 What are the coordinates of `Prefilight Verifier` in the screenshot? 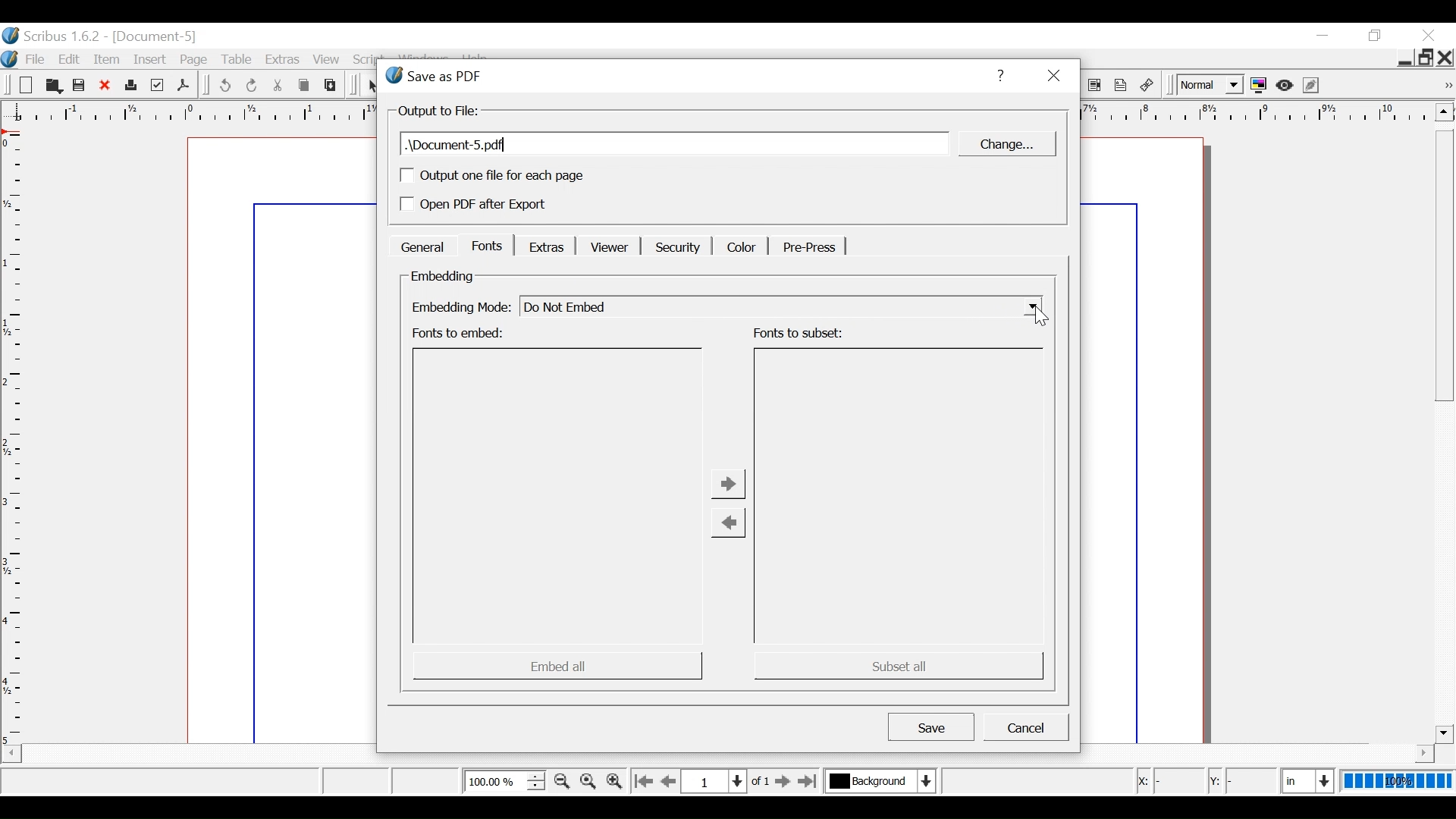 It's located at (157, 86).